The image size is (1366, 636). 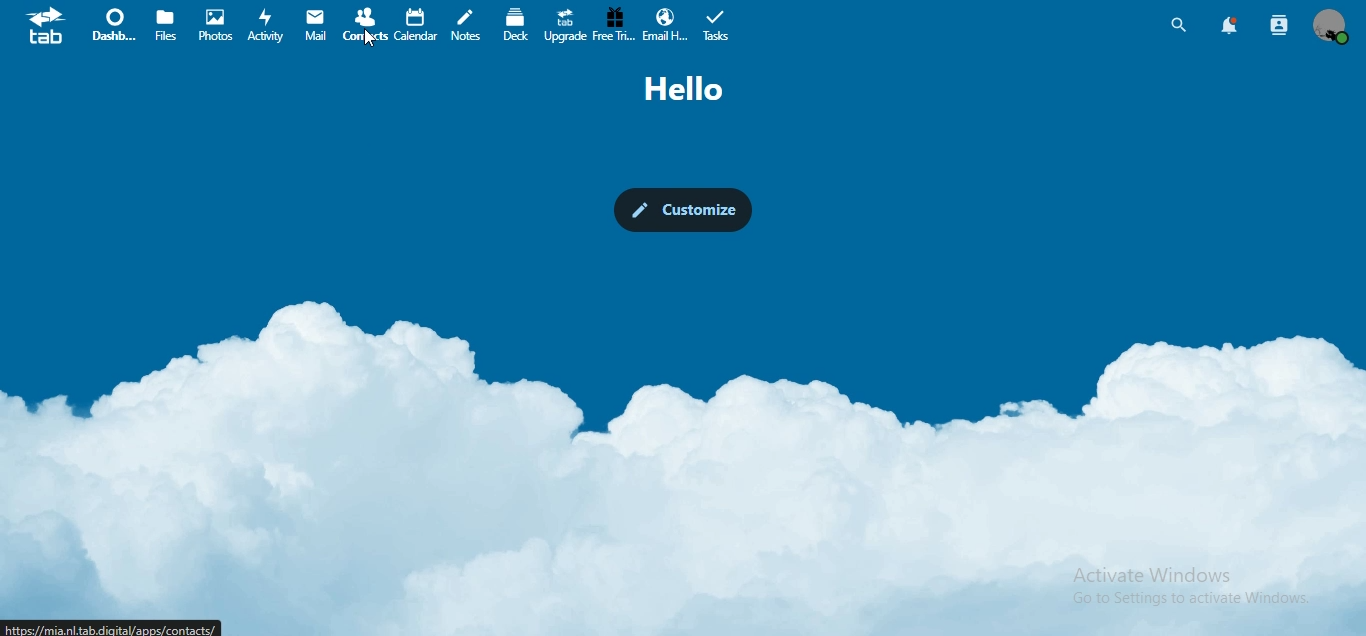 What do you see at coordinates (1336, 28) in the screenshot?
I see `view profile` at bounding box center [1336, 28].